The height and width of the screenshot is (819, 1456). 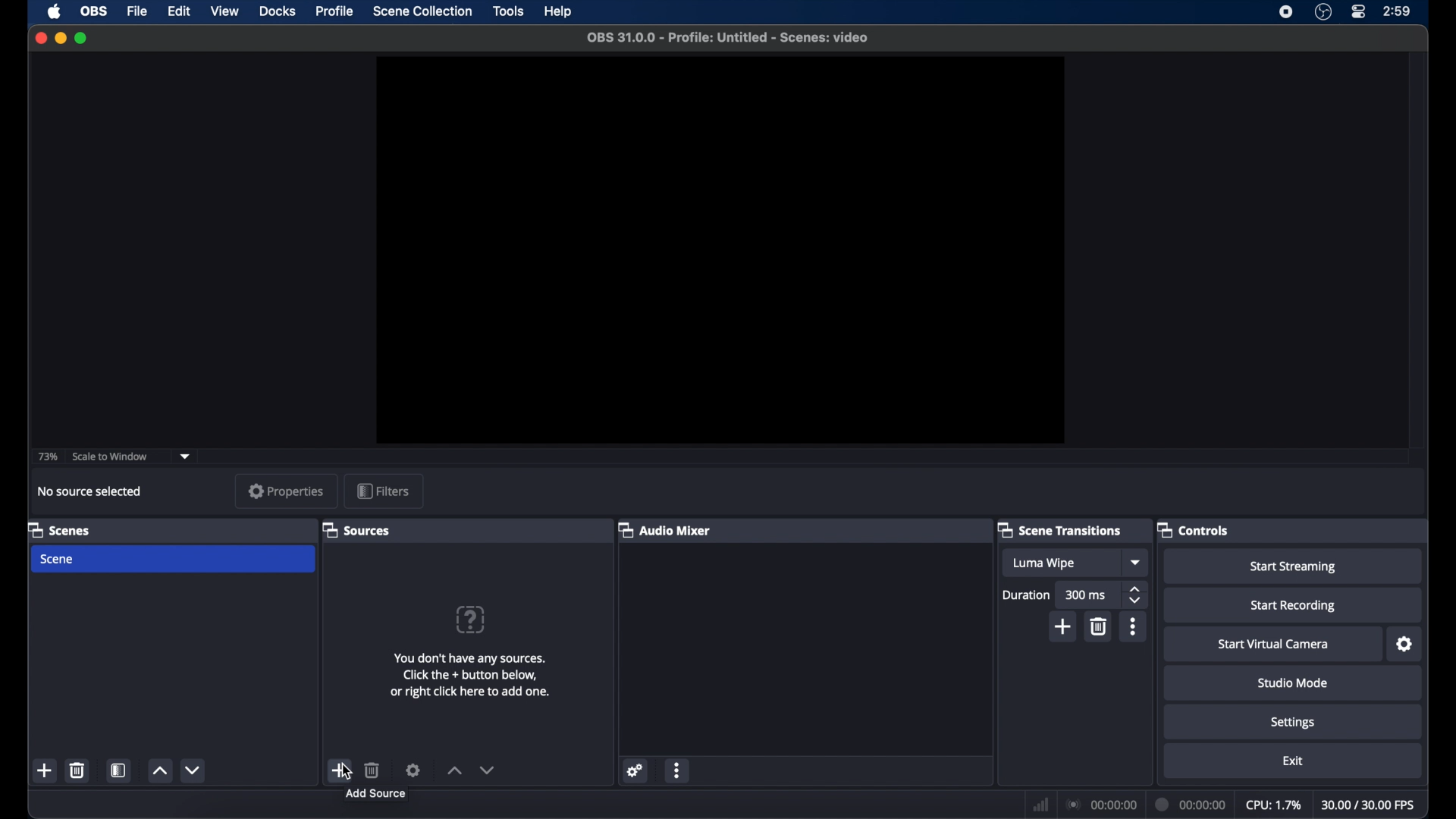 What do you see at coordinates (1134, 627) in the screenshot?
I see `more options` at bounding box center [1134, 627].